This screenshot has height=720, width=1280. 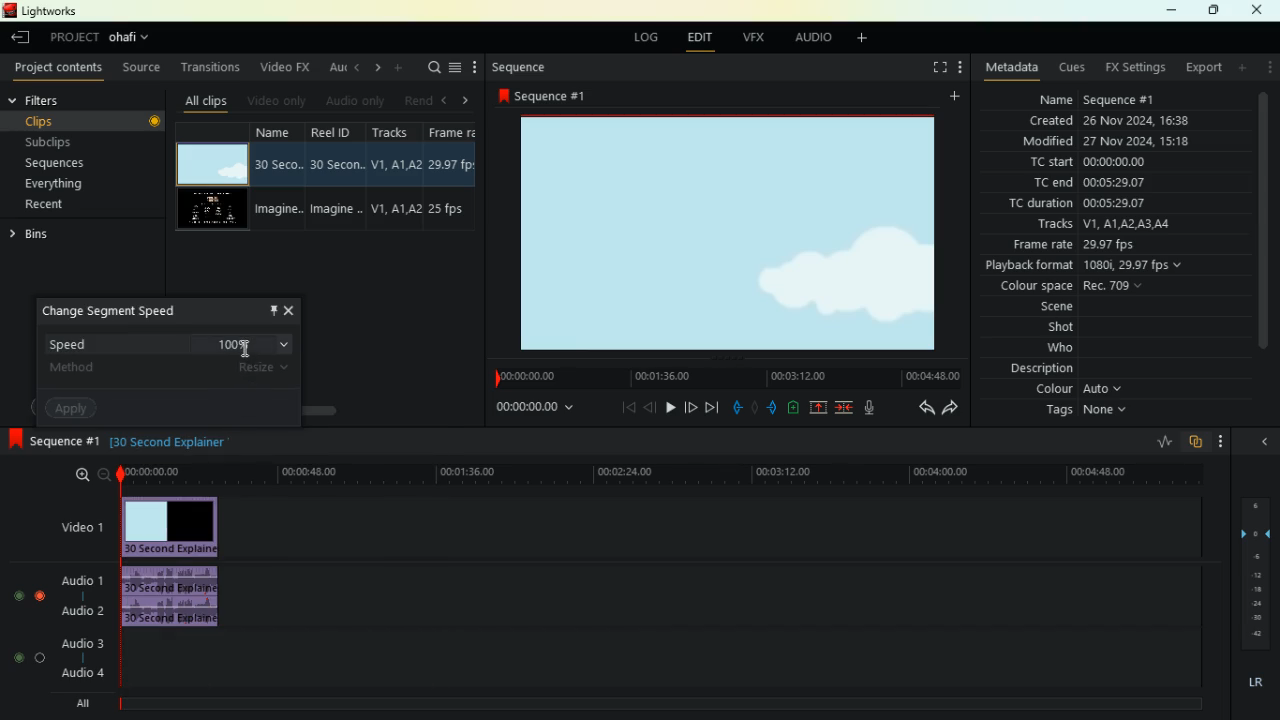 I want to click on add, so click(x=399, y=68).